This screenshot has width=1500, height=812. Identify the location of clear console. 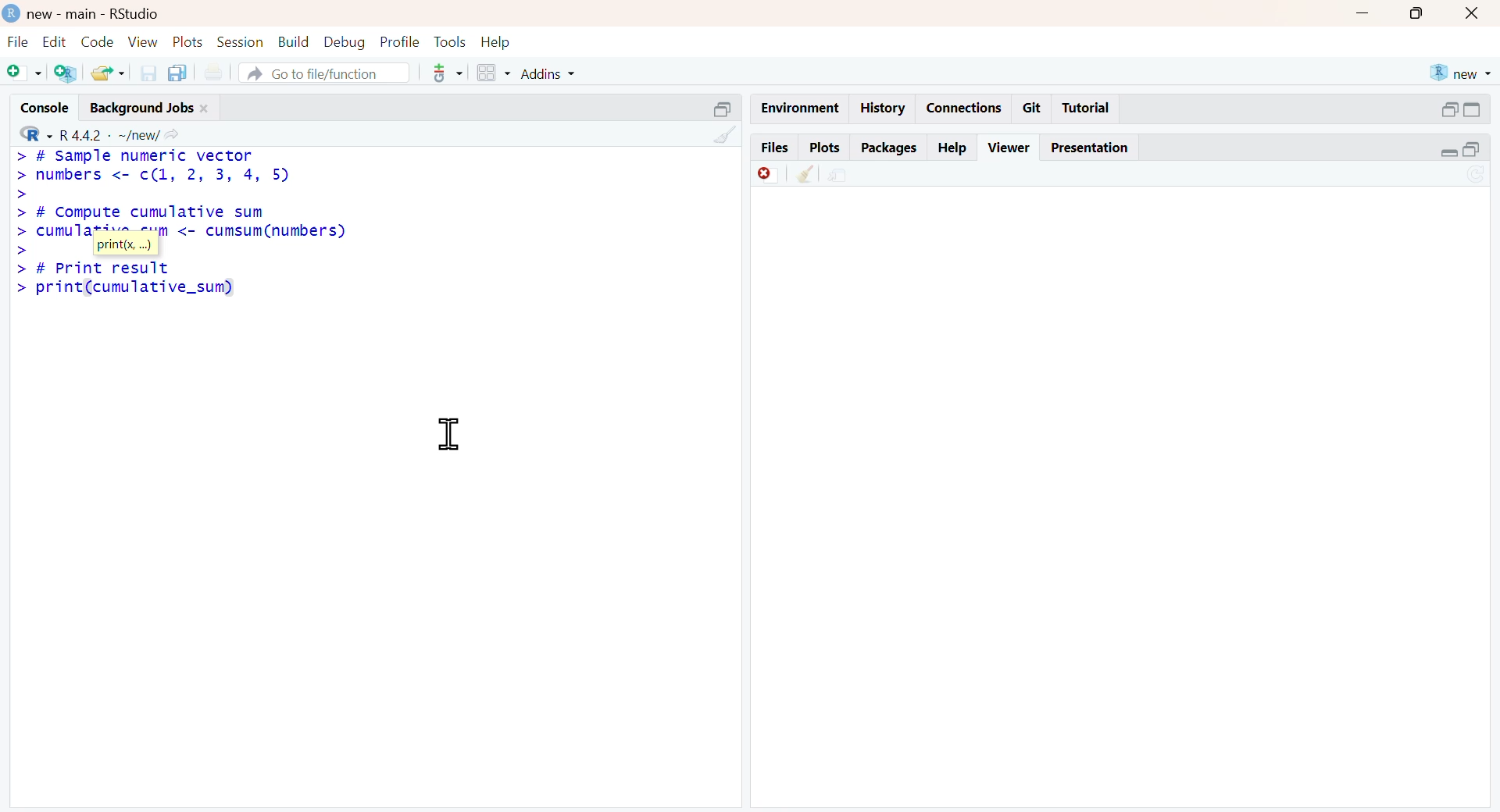
(726, 134).